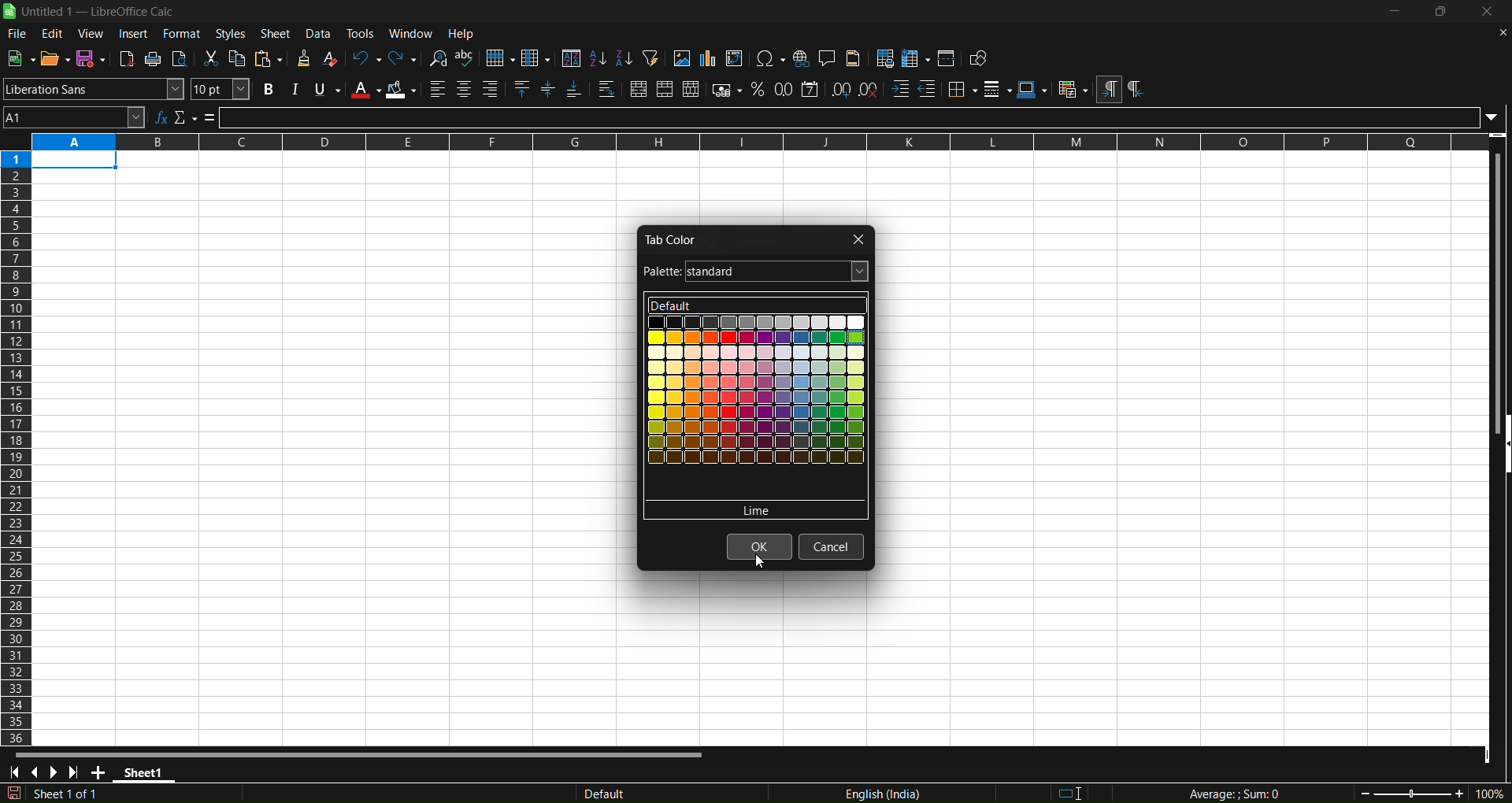 The width and height of the screenshot is (1512, 803). Describe the element at coordinates (811, 89) in the screenshot. I see `format as date` at that location.